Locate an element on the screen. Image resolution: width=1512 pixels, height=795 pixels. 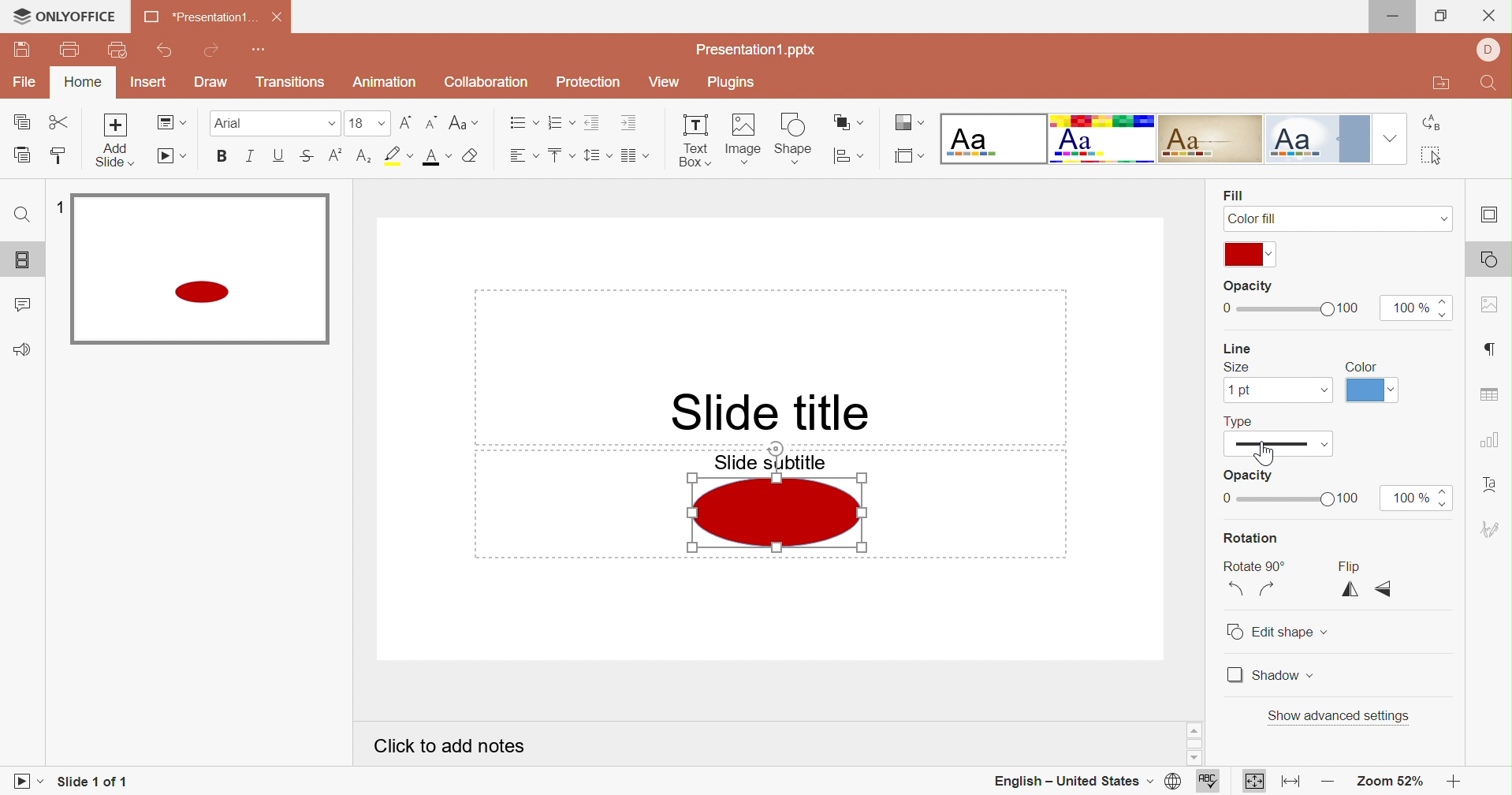
Click to add notes is located at coordinates (449, 745).